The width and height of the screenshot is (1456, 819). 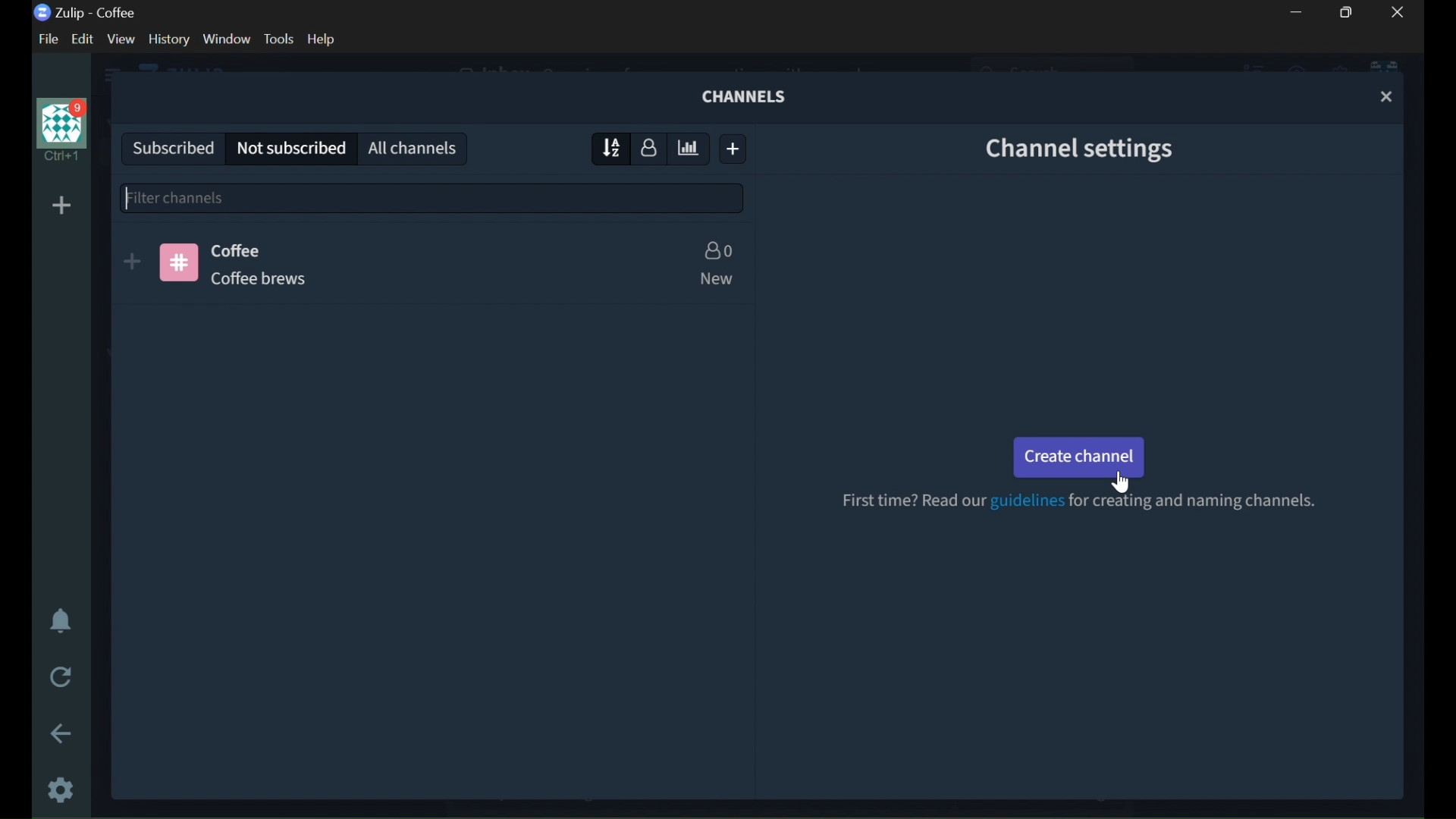 I want to click on RESTORE DOWN, so click(x=1350, y=12).